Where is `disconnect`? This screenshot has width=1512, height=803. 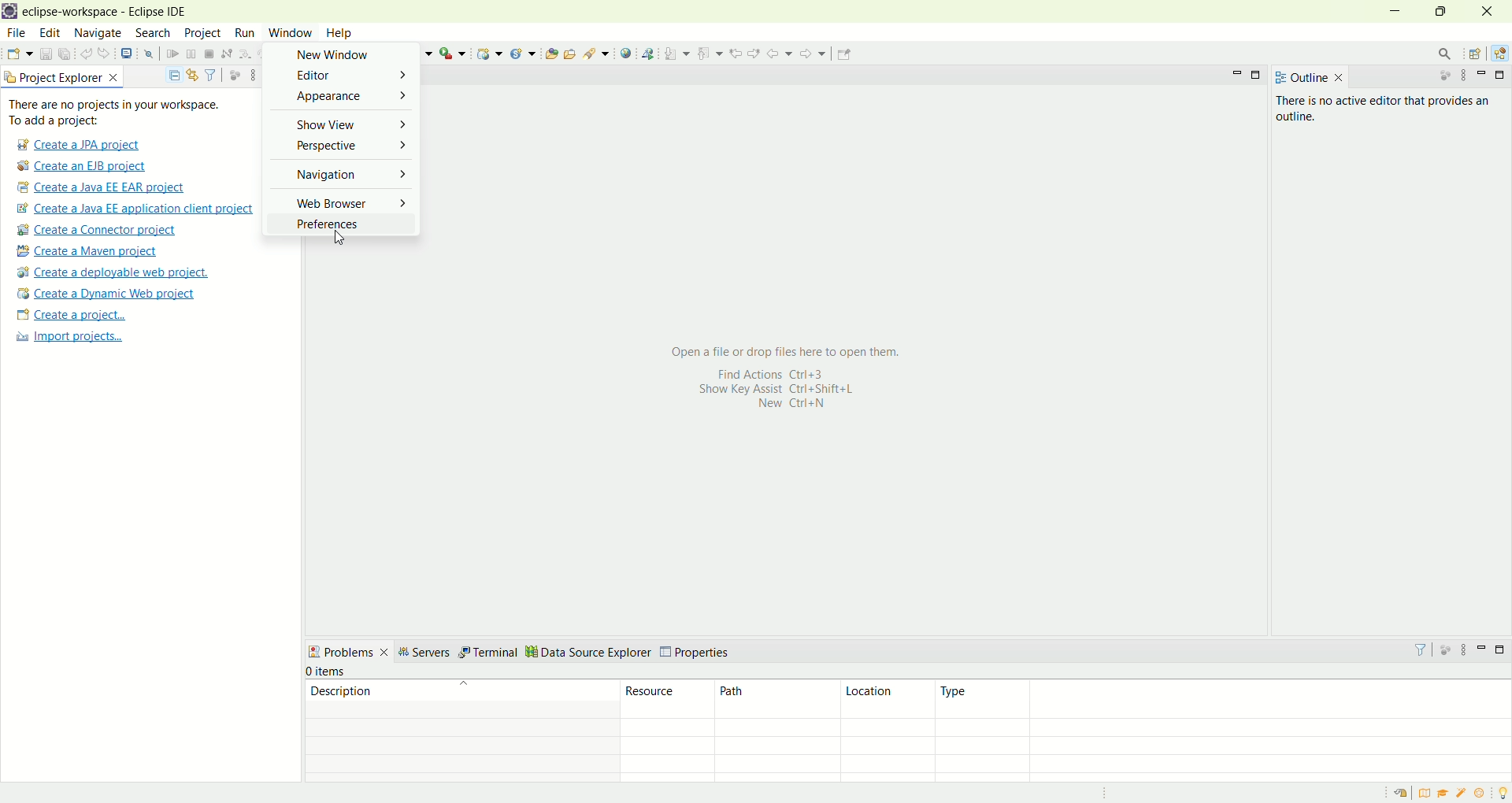
disconnect is located at coordinates (225, 54).